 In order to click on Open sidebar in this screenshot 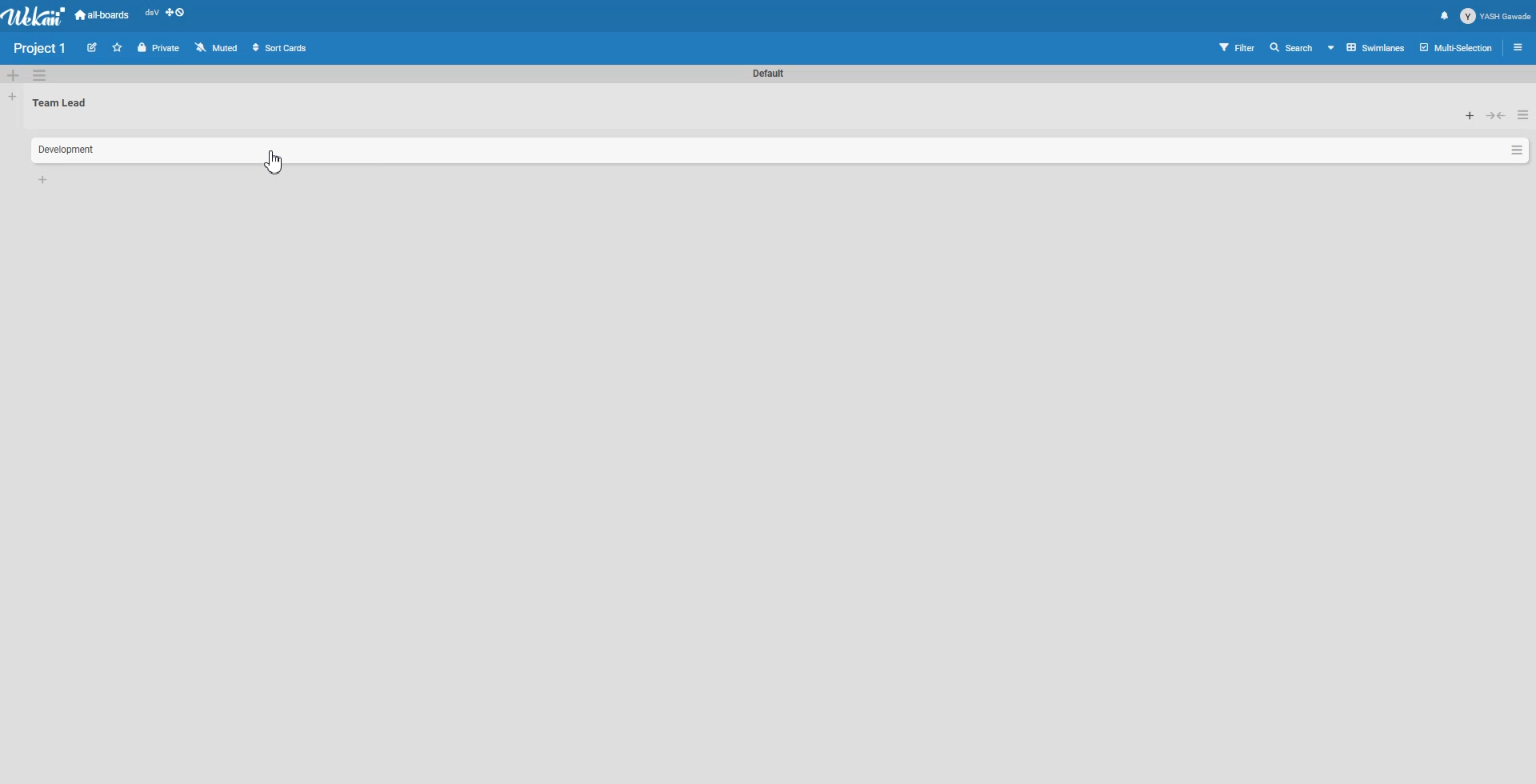, I will do `click(1521, 46)`.